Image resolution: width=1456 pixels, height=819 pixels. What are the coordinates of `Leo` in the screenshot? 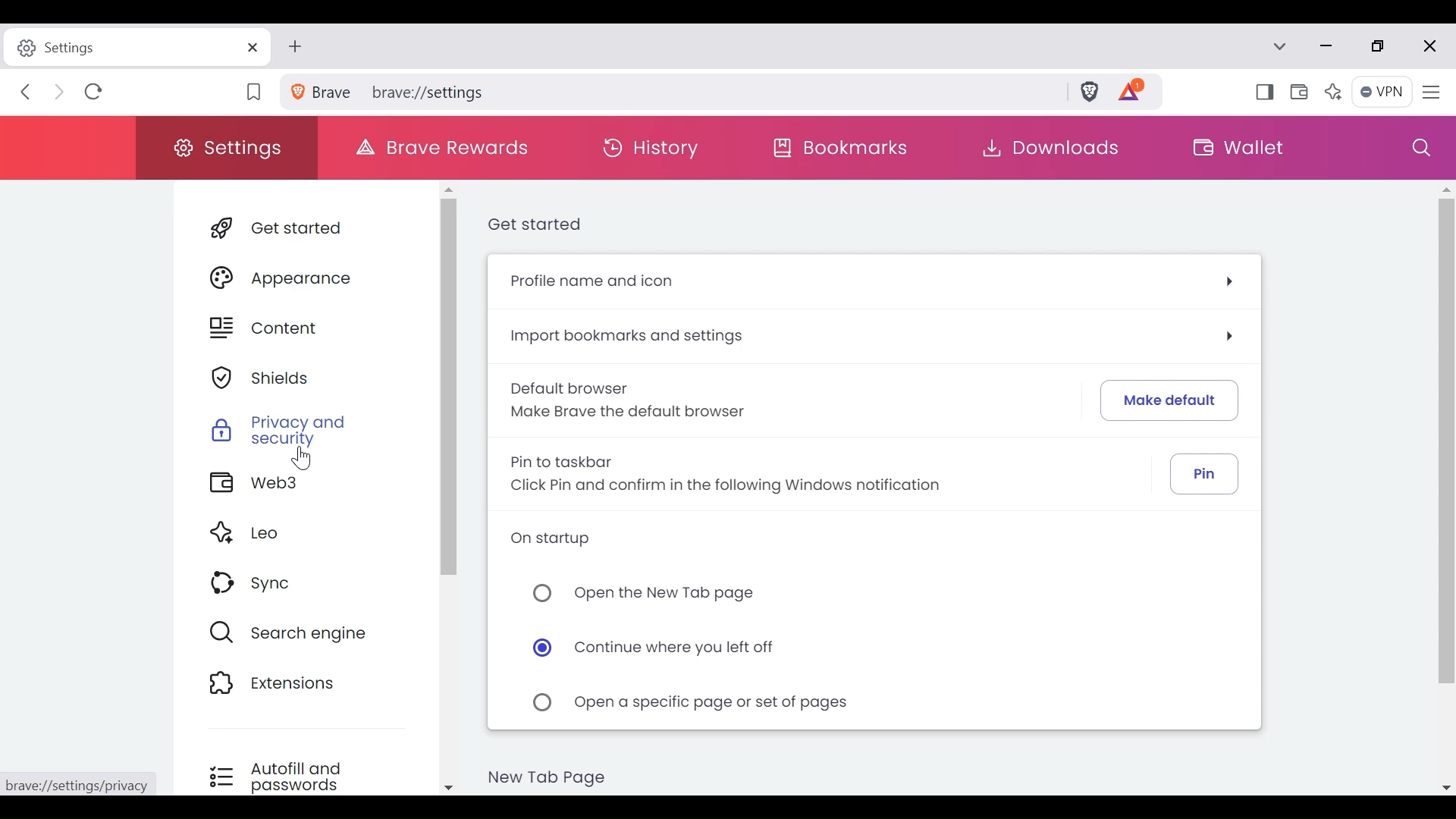 It's located at (301, 534).